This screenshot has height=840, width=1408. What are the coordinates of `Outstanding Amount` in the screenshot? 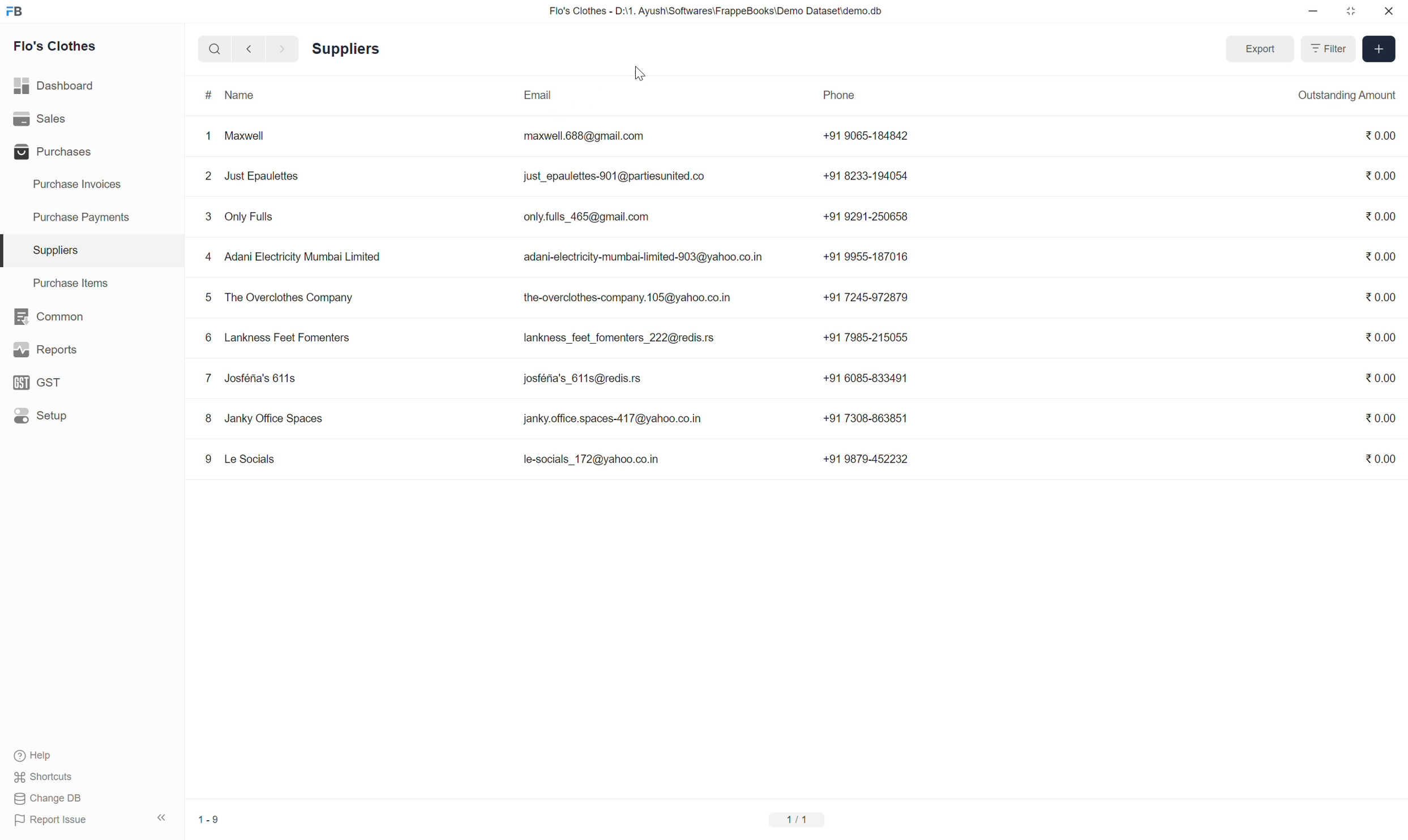 It's located at (1347, 96).